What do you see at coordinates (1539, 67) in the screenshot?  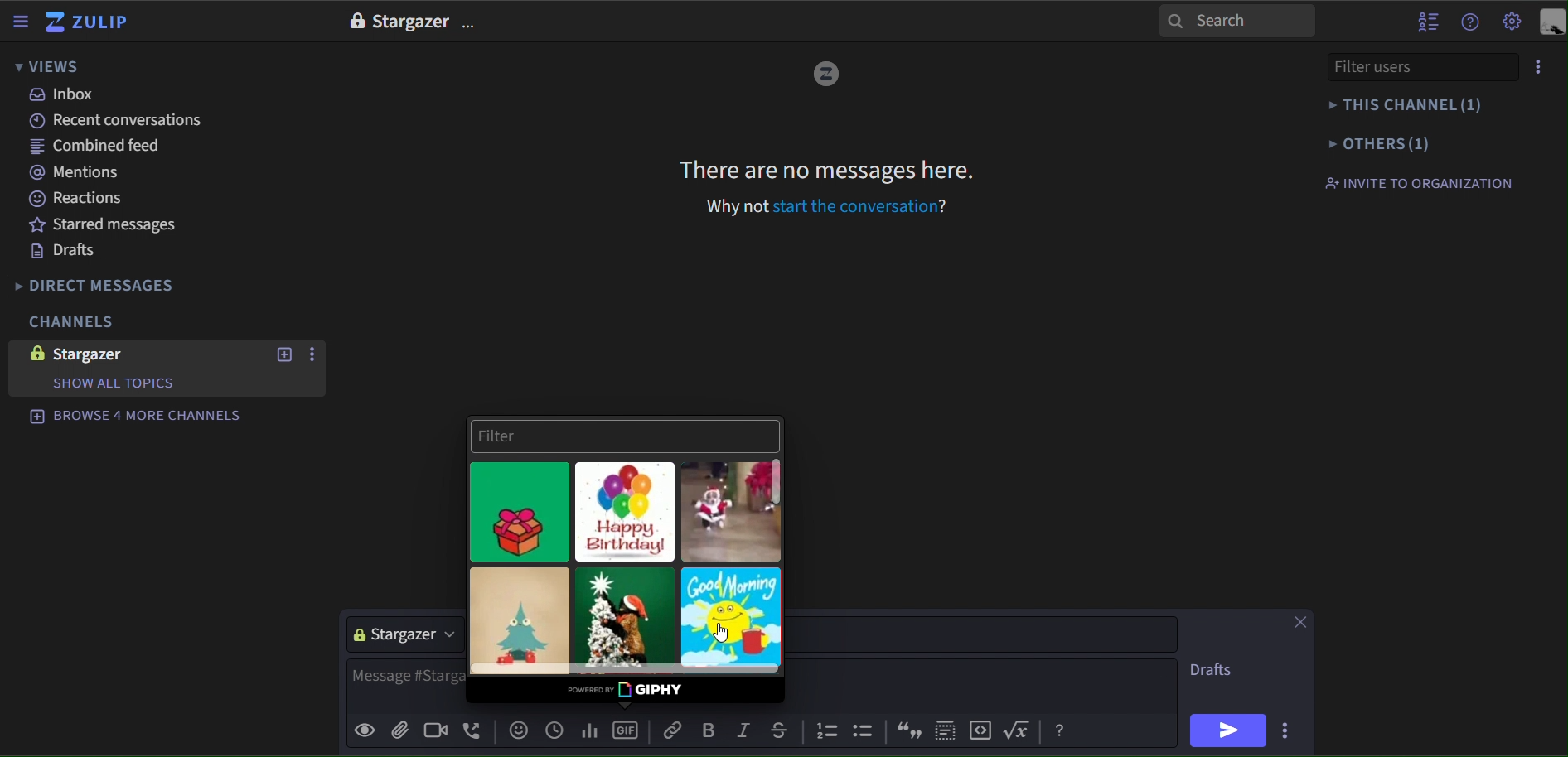 I see `options` at bounding box center [1539, 67].